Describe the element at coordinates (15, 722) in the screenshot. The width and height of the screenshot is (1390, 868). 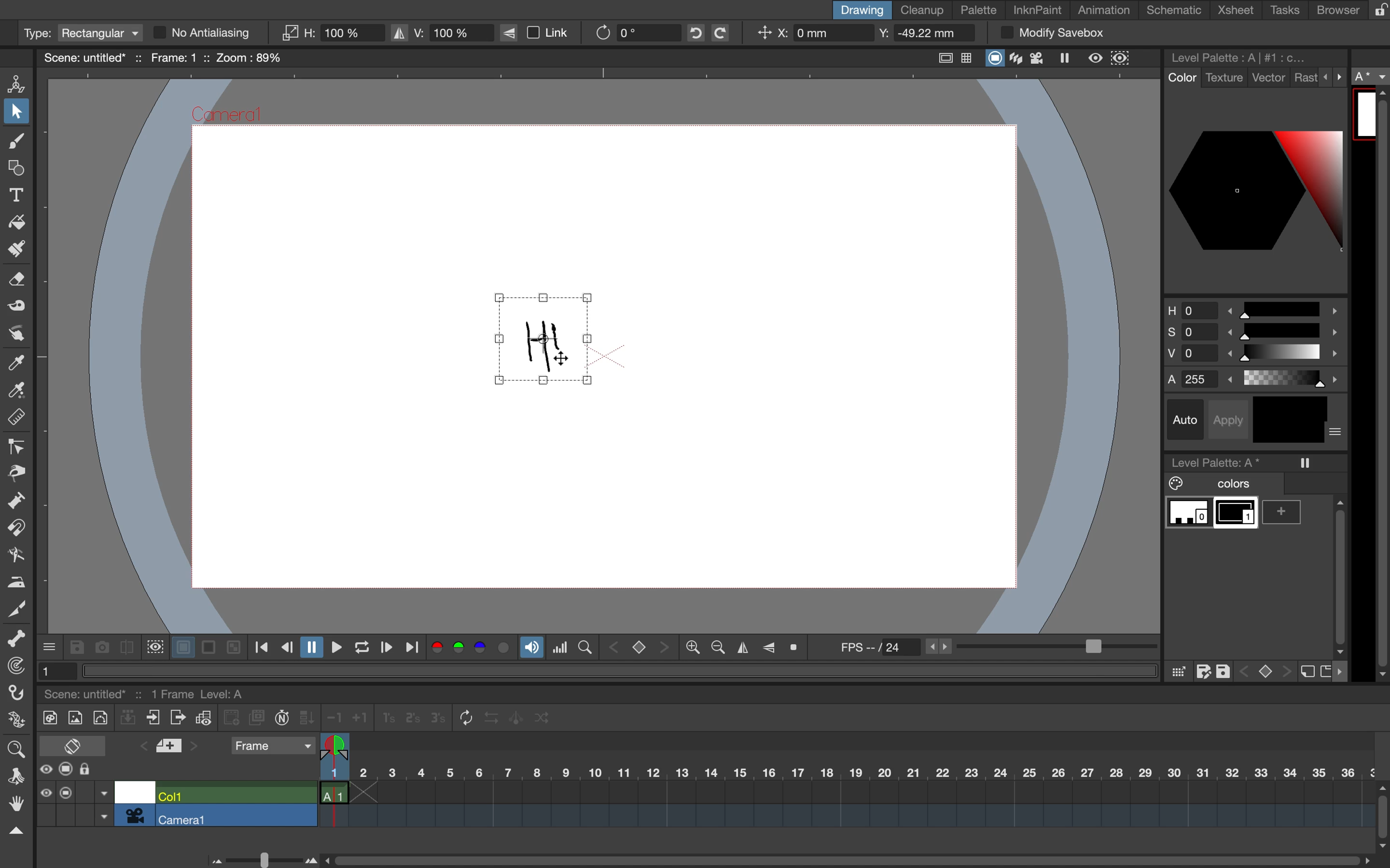
I see `plastic tool` at that location.